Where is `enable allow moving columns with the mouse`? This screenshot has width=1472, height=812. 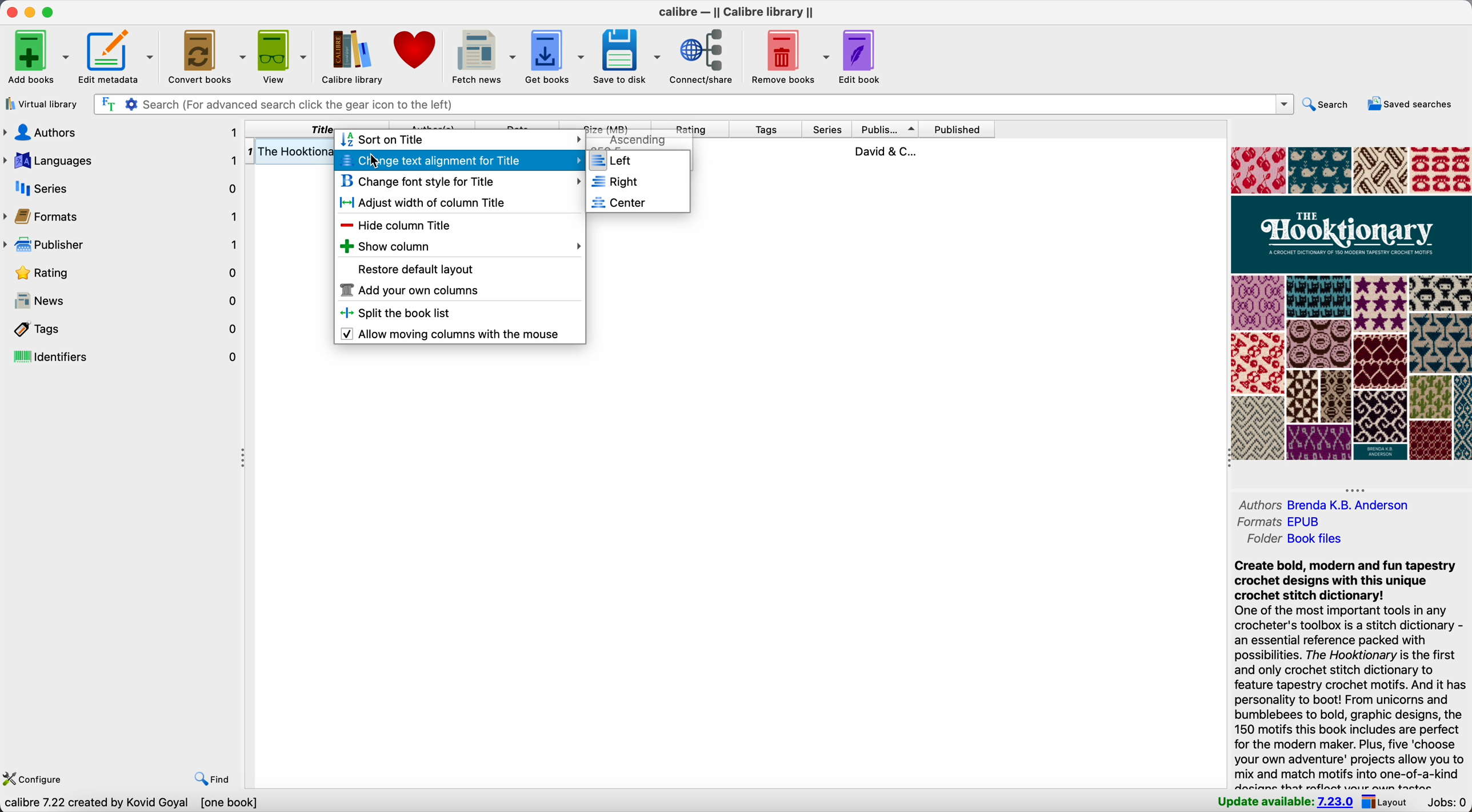 enable allow moving columns with the mouse is located at coordinates (452, 335).